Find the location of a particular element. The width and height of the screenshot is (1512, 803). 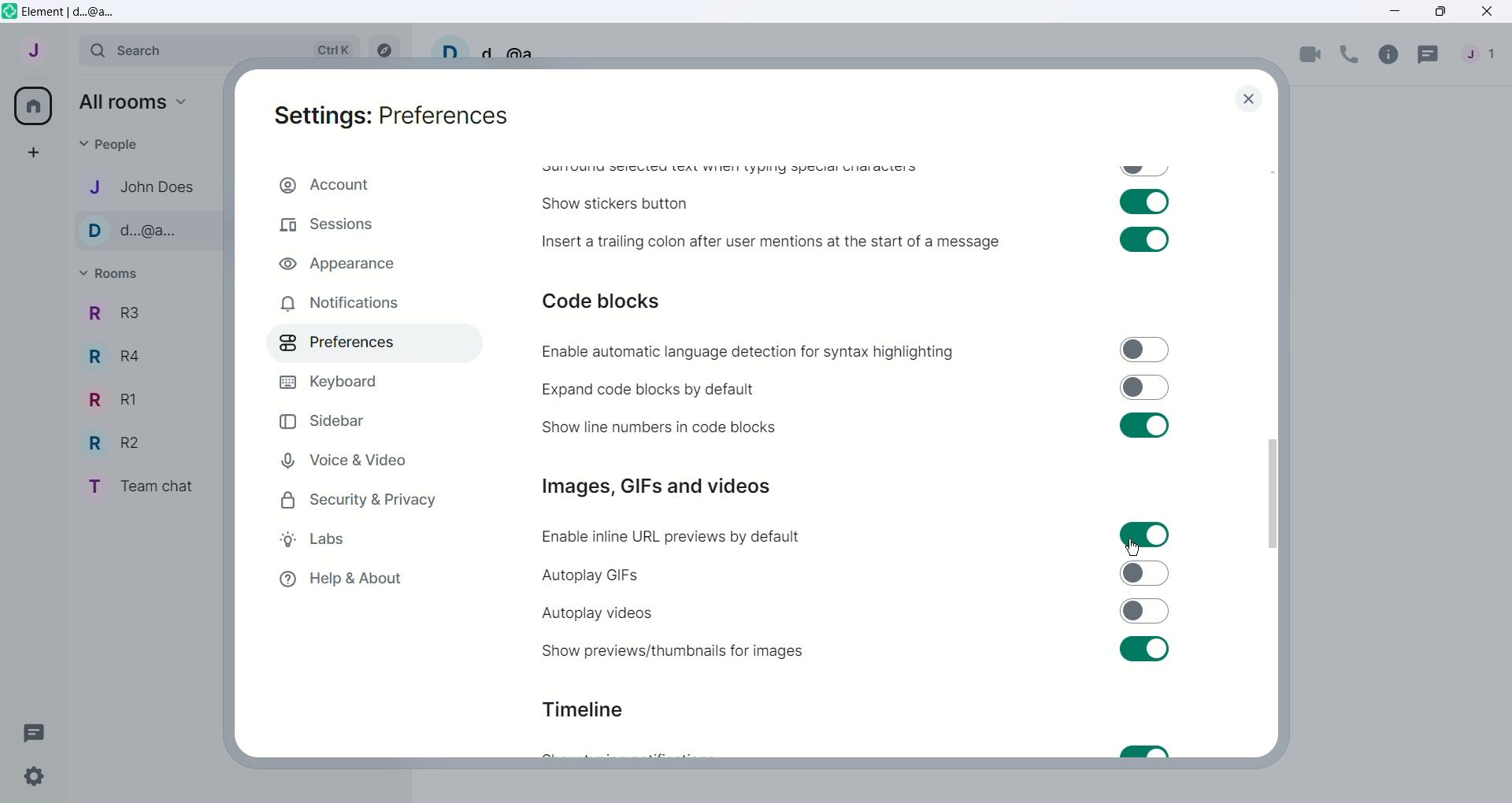

Cursor is located at coordinates (1133, 547).